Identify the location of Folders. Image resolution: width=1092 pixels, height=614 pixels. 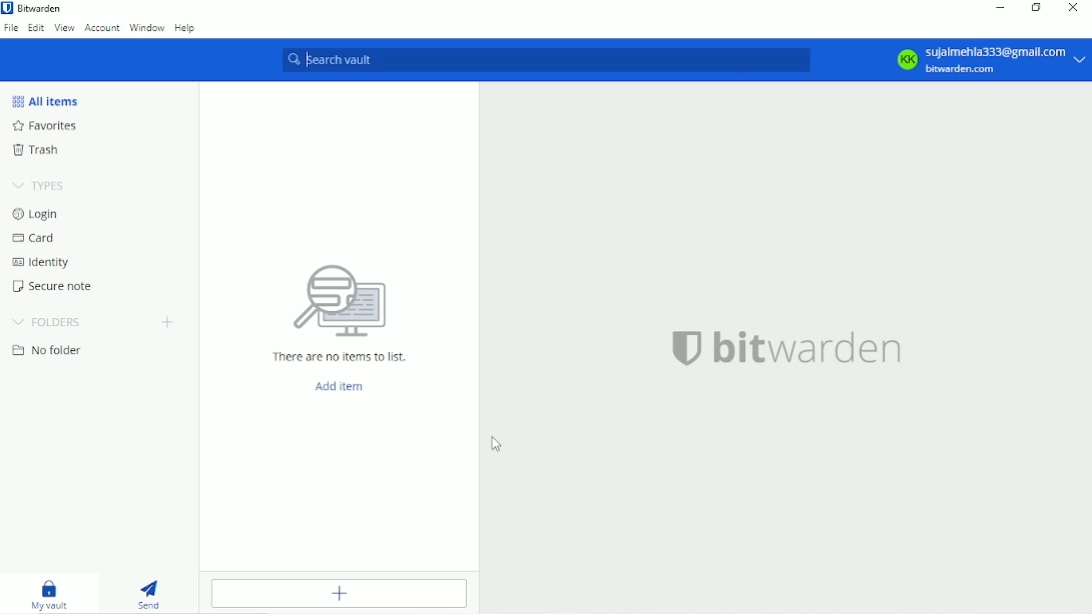
(50, 322).